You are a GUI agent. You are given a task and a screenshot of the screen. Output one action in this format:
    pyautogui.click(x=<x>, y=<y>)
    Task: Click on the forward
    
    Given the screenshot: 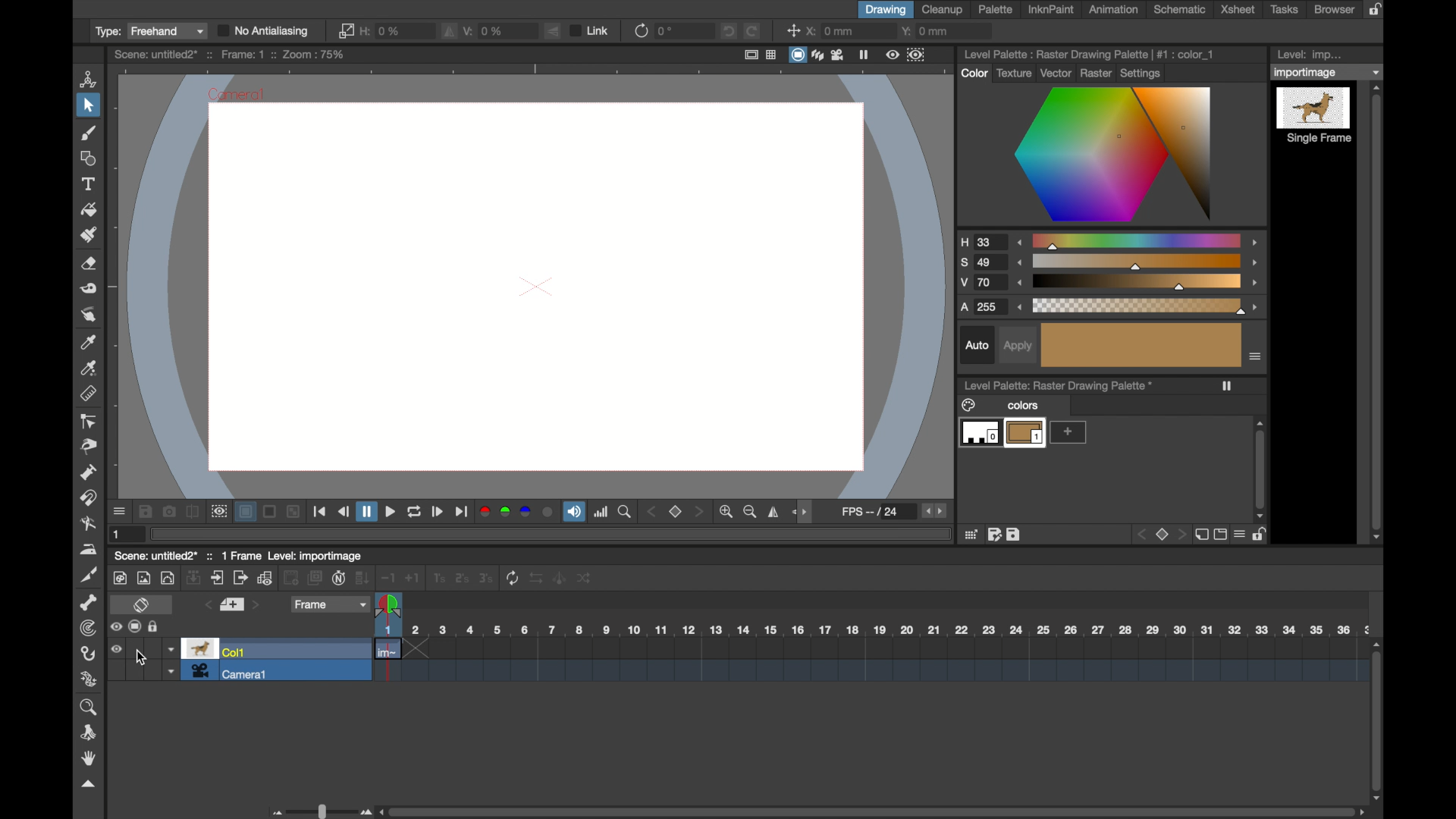 What is the action you would take?
    pyautogui.click(x=391, y=512)
    